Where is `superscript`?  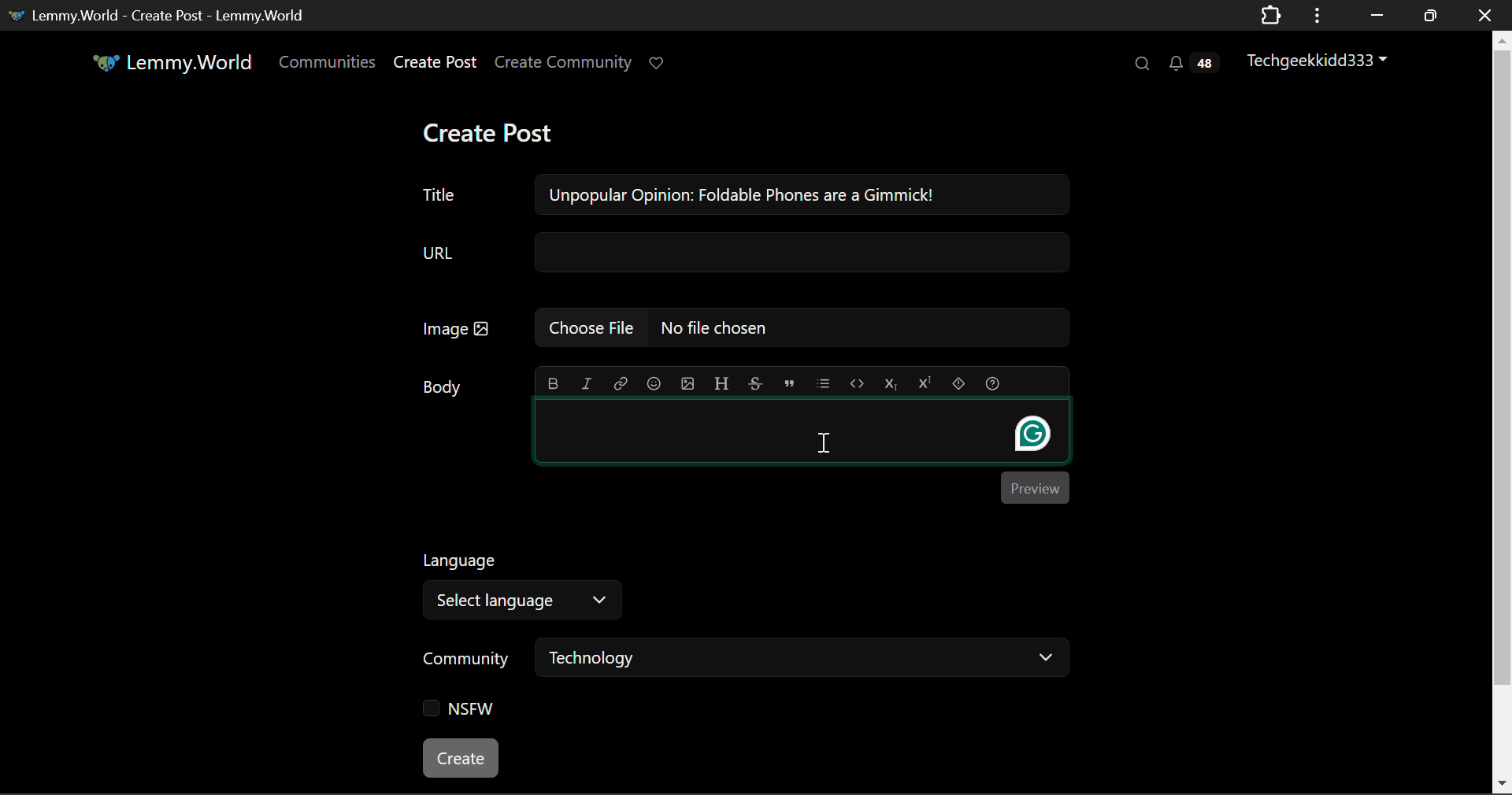
superscript is located at coordinates (922, 380).